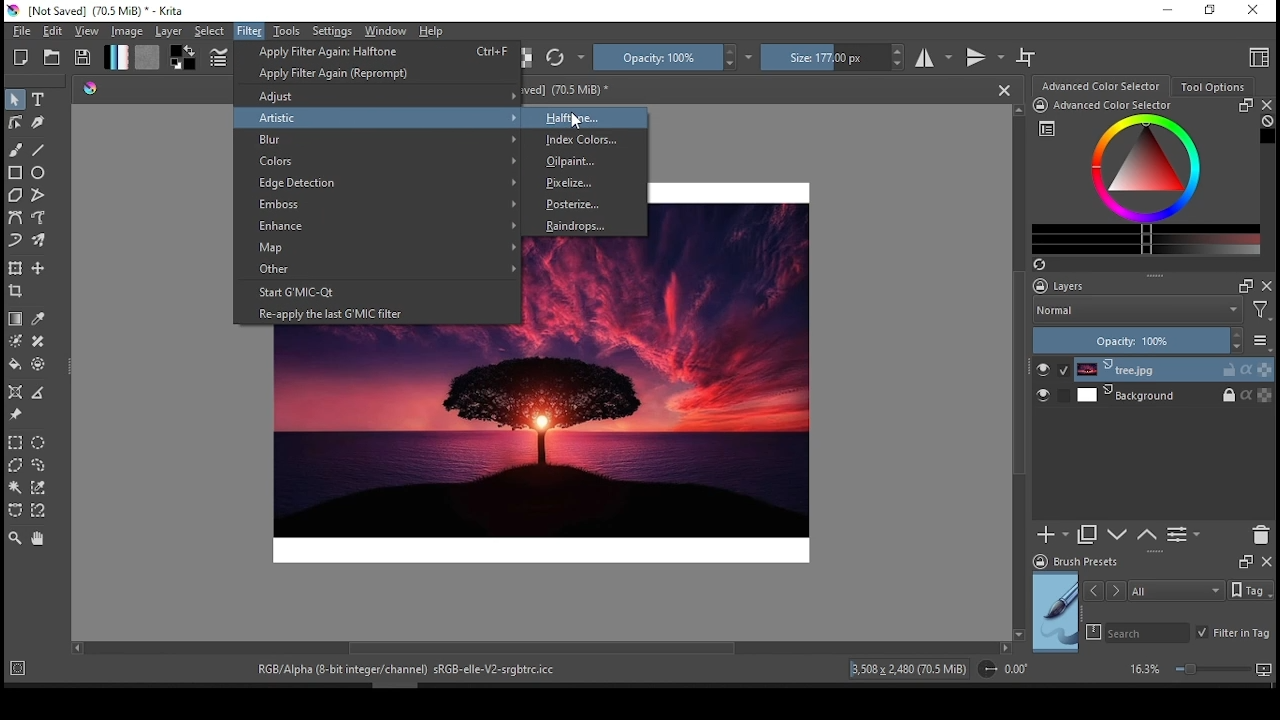  I want to click on reference image tool, so click(15, 413).